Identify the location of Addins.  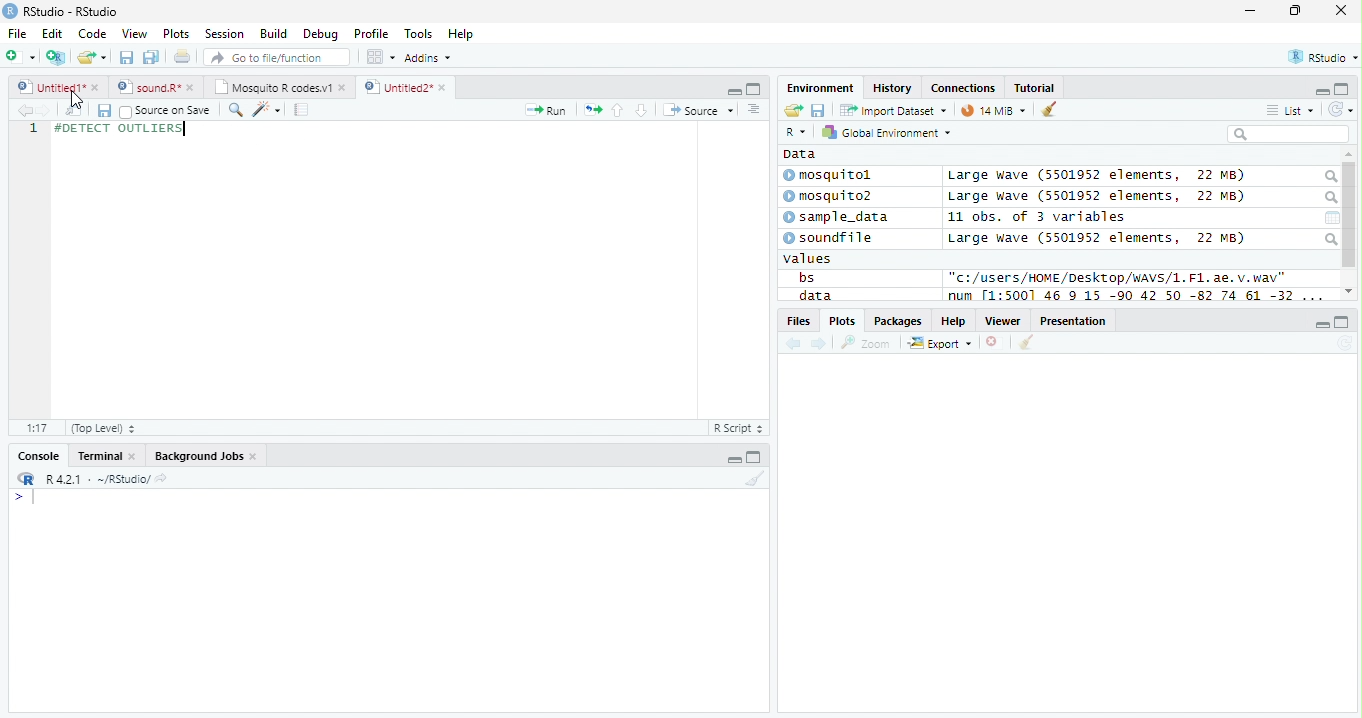
(430, 57).